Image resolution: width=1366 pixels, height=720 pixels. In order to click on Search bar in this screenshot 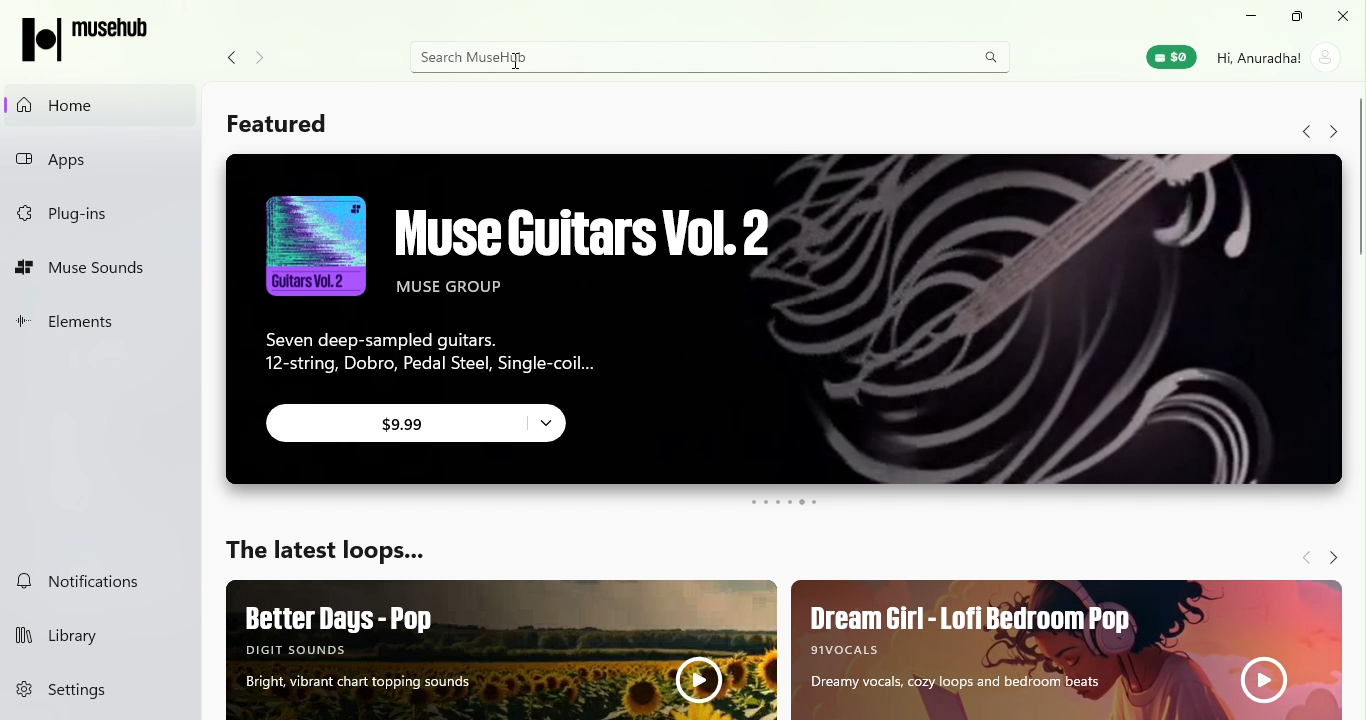, I will do `click(715, 57)`.